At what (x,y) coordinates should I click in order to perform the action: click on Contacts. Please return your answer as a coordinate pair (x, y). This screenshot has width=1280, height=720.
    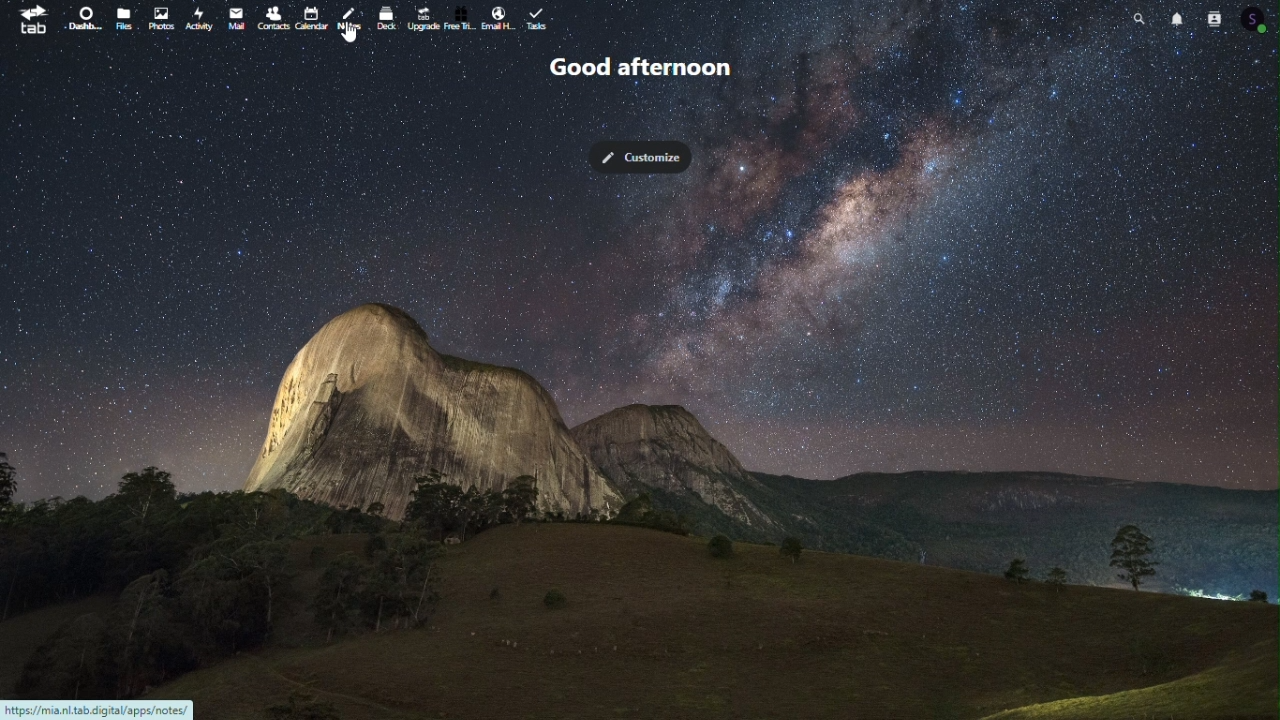
    Looking at the image, I should click on (272, 16).